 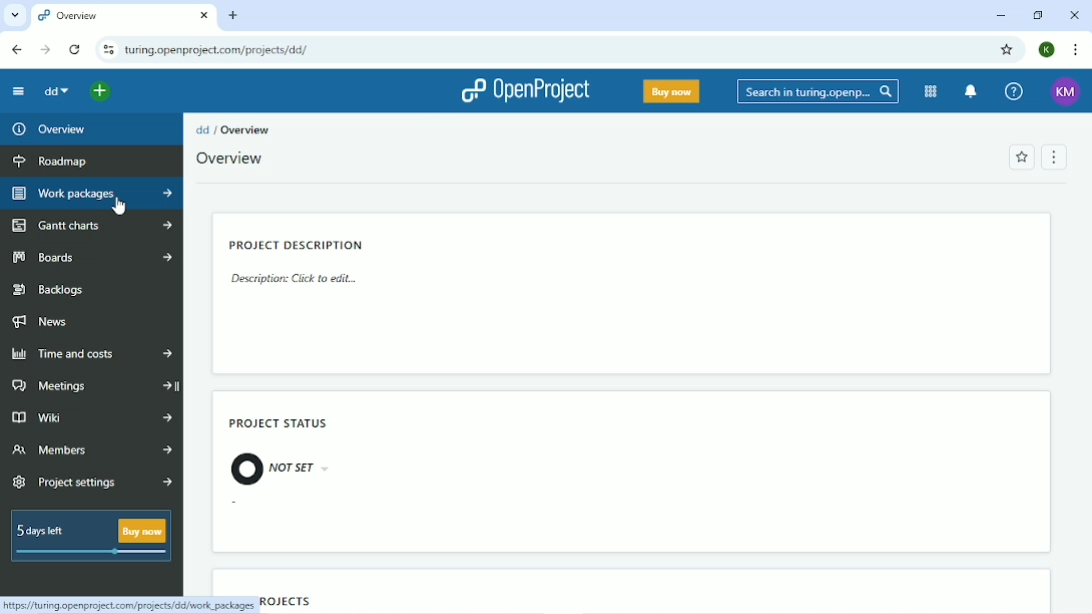 What do you see at coordinates (92, 353) in the screenshot?
I see `Time and costs` at bounding box center [92, 353].